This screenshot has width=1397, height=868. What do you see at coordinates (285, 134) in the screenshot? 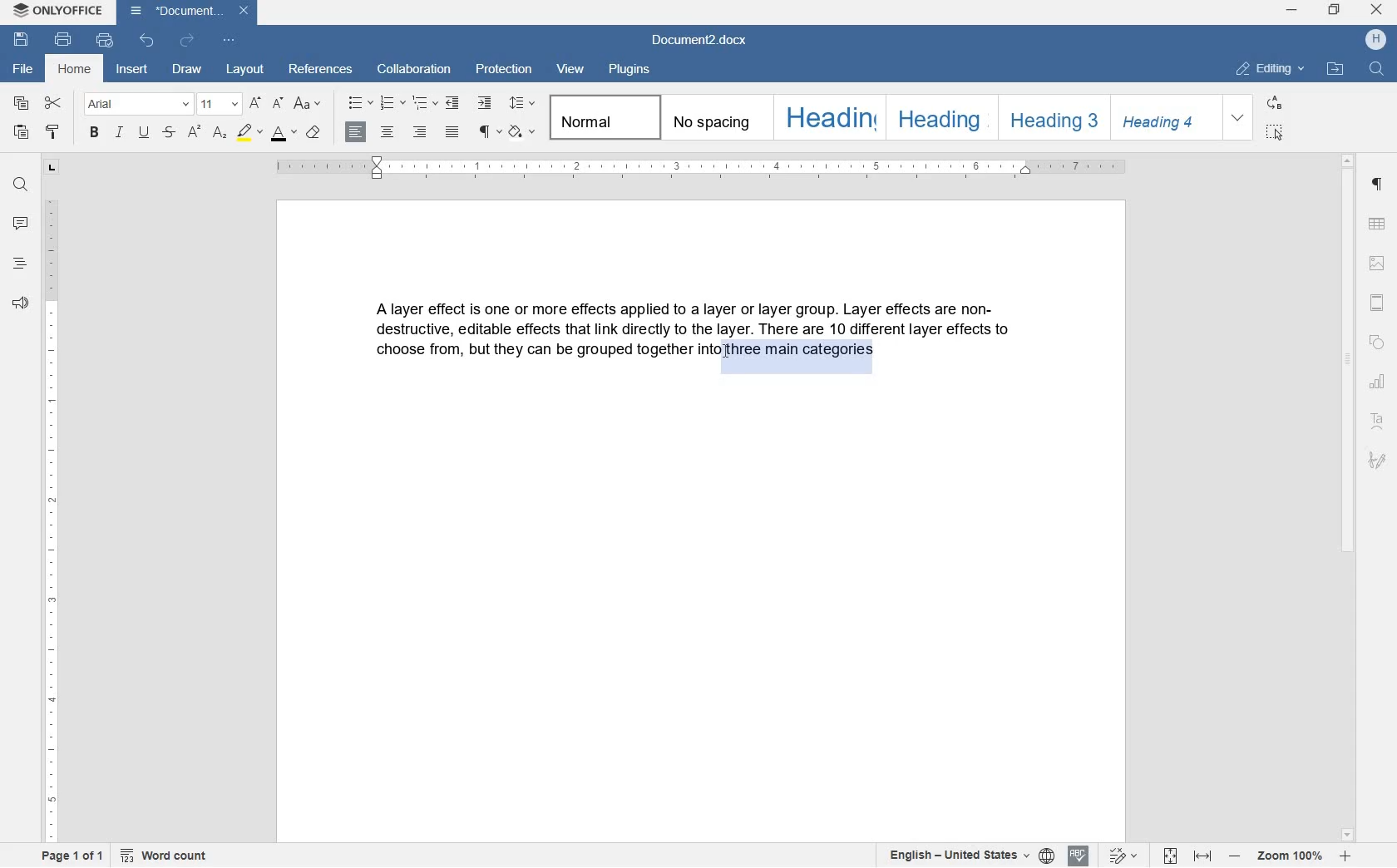
I see `font color ` at bounding box center [285, 134].